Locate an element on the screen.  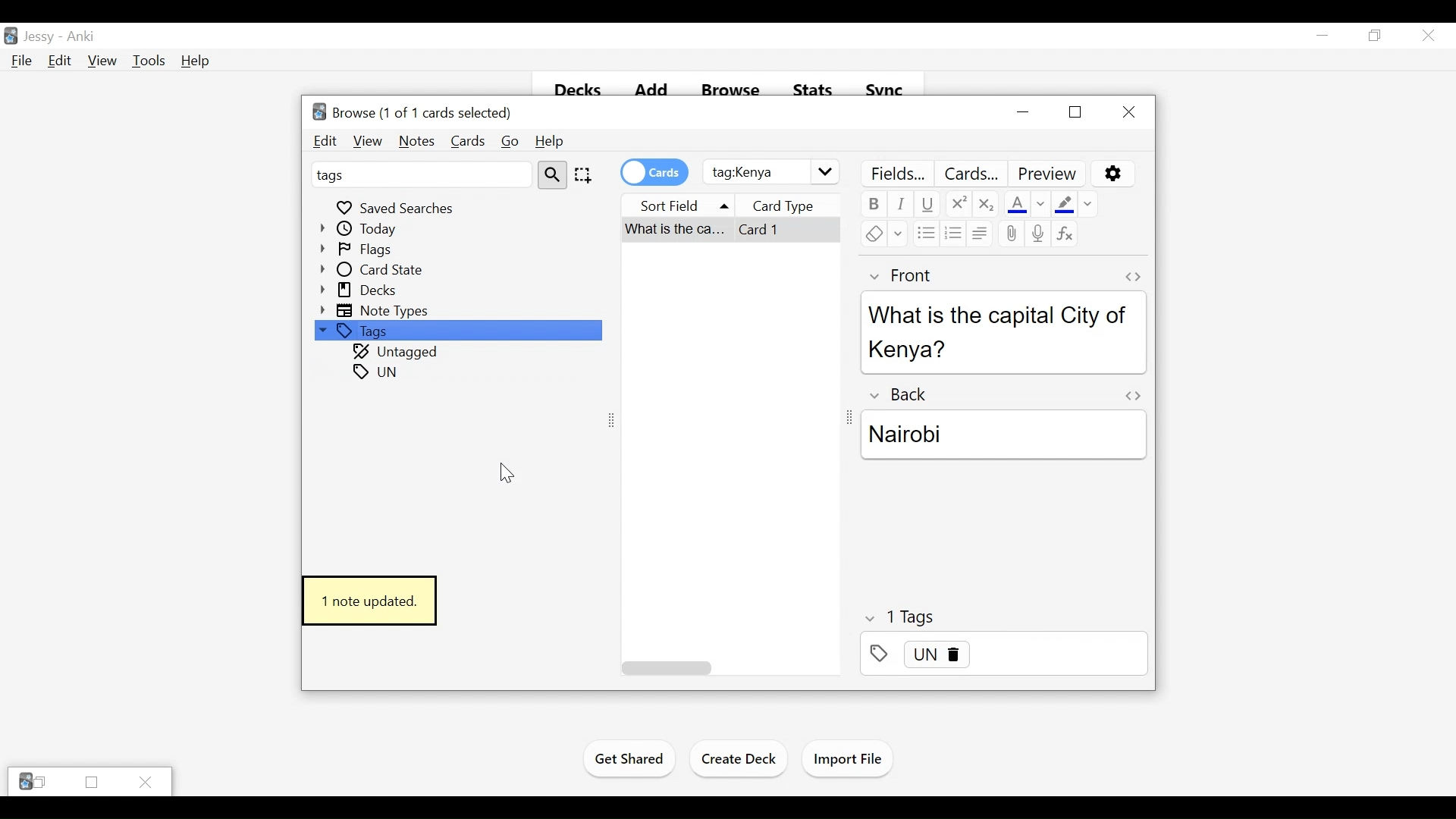
Text Color is located at coordinates (1016, 202).